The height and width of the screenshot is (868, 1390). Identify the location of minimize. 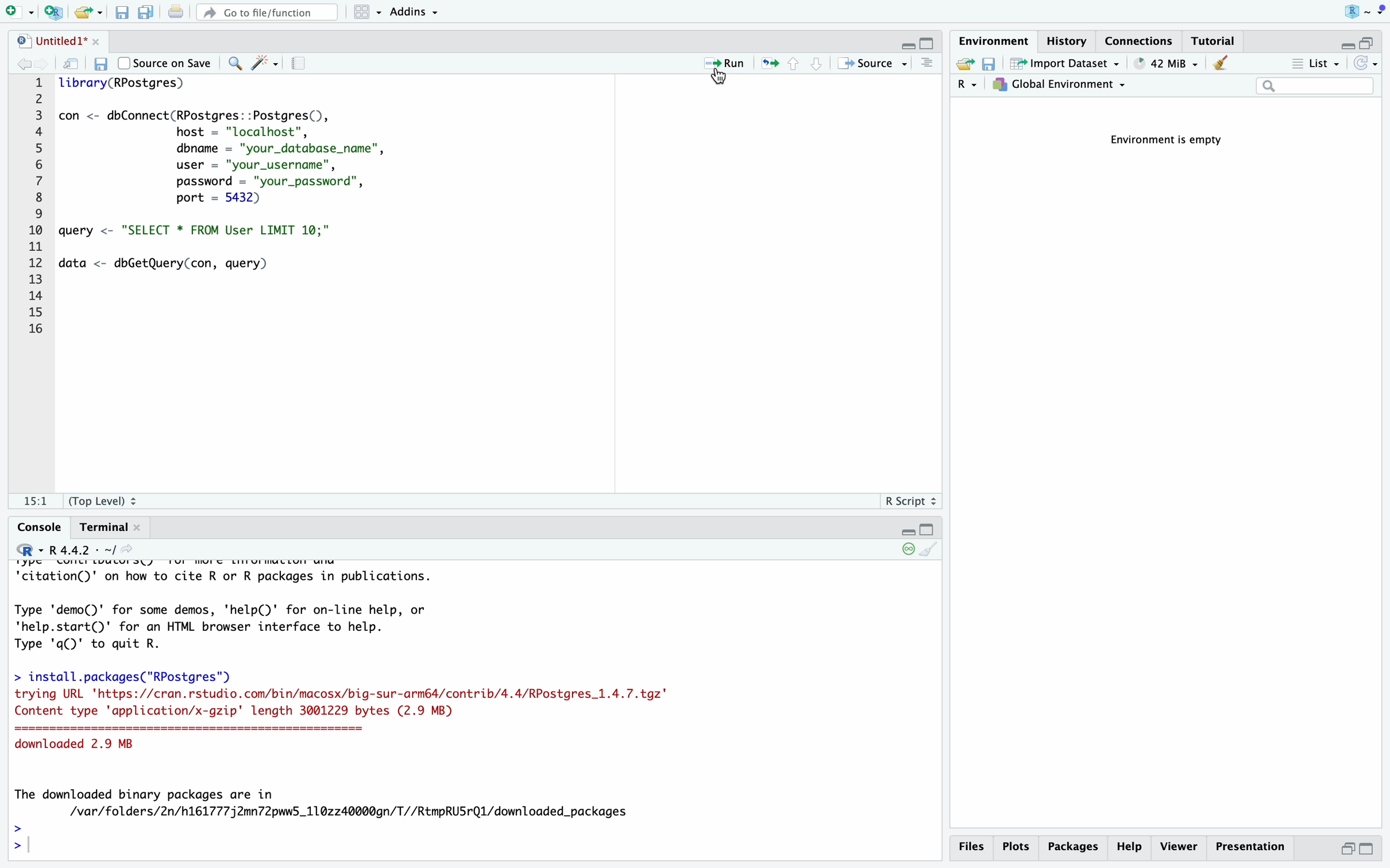
(904, 533).